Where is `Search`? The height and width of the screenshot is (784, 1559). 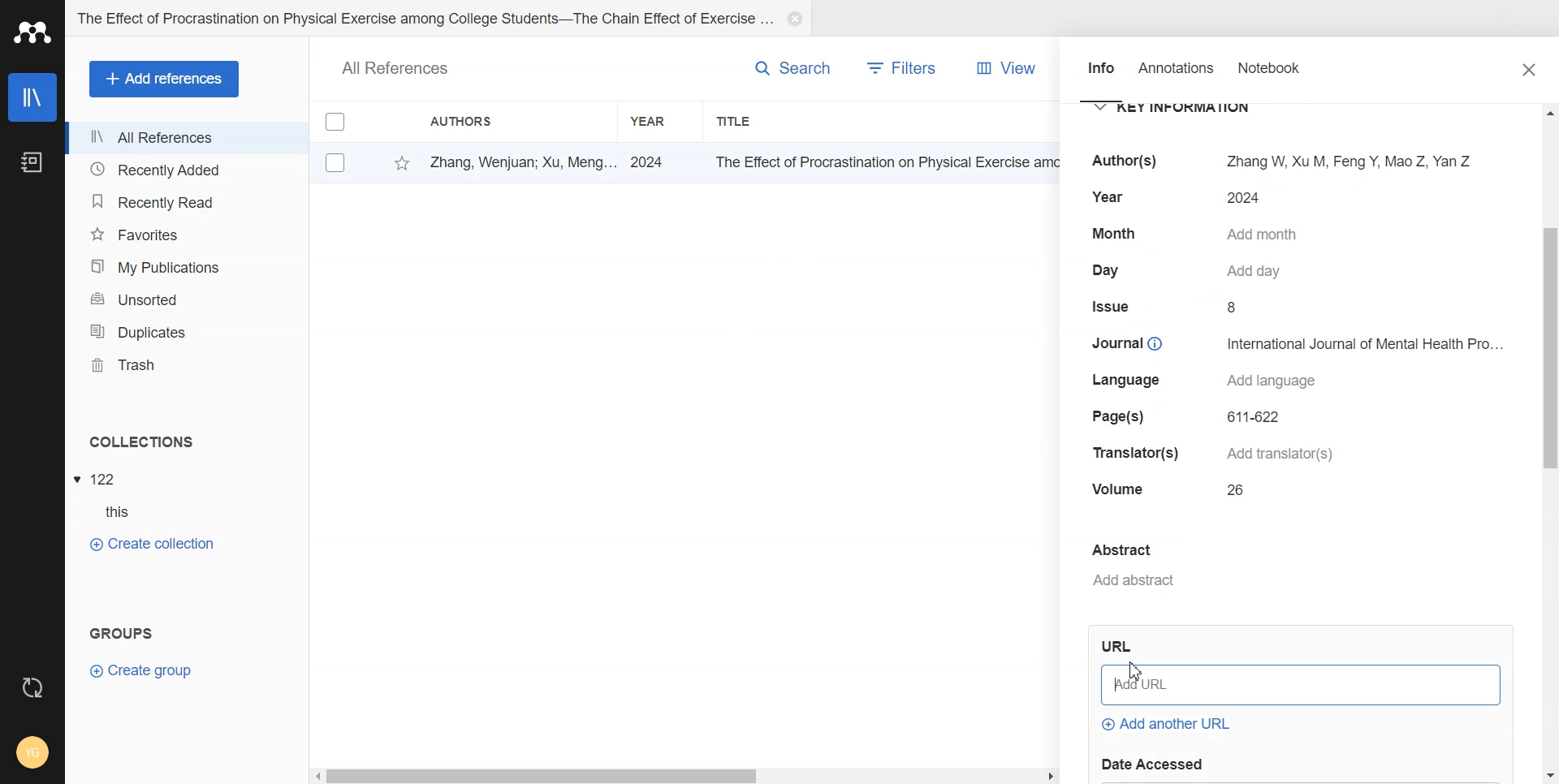 Search is located at coordinates (777, 68).